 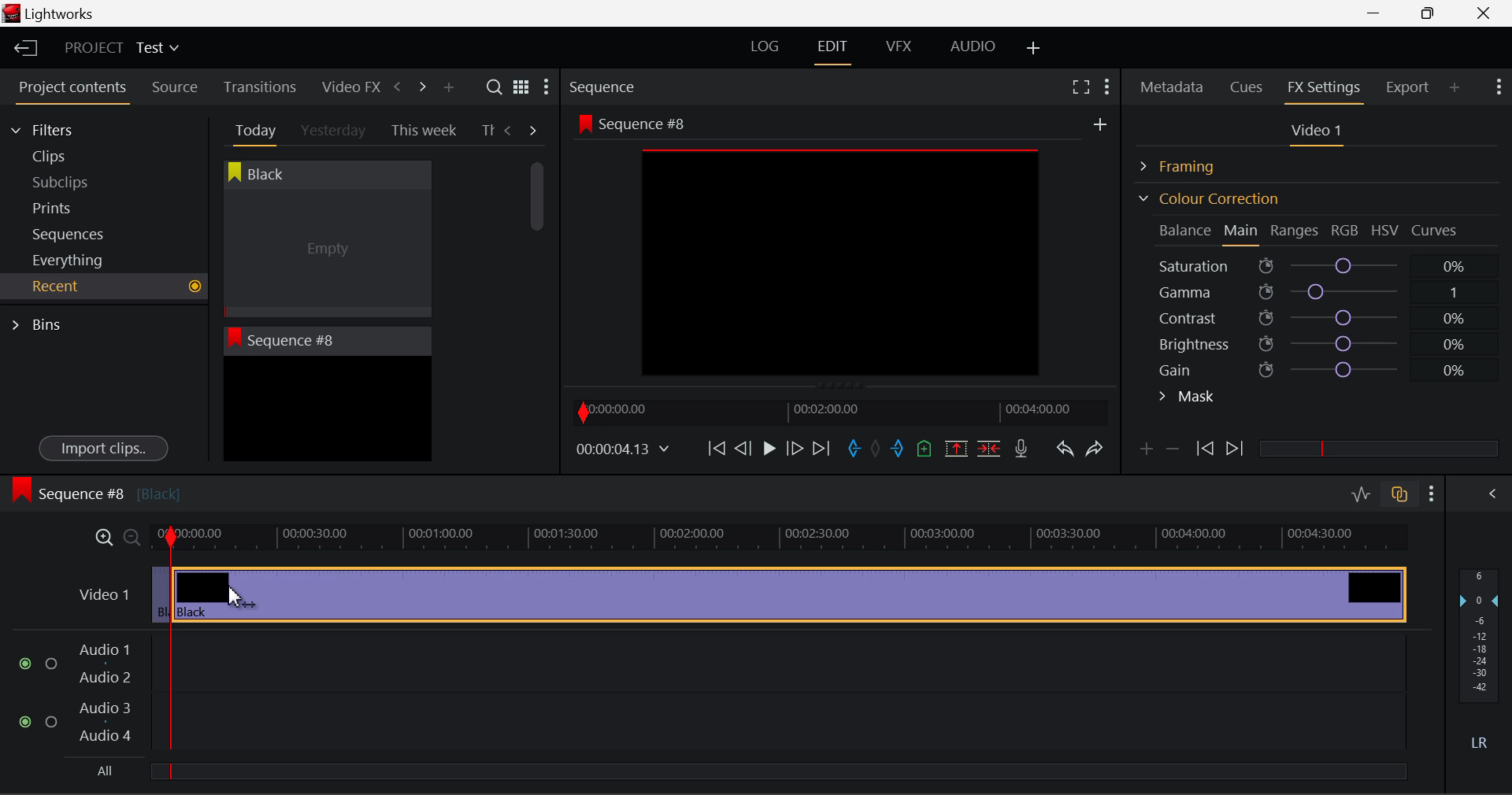 What do you see at coordinates (899, 449) in the screenshot?
I see `Mark Out` at bounding box center [899, 449].